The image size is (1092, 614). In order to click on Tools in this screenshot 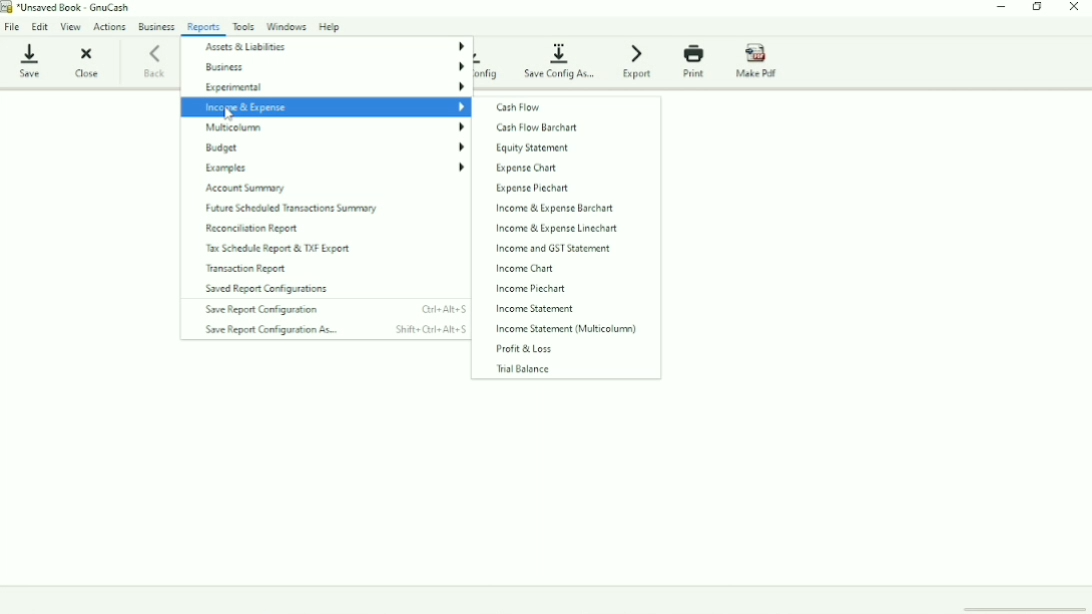, I will do `click(245, 25)`.